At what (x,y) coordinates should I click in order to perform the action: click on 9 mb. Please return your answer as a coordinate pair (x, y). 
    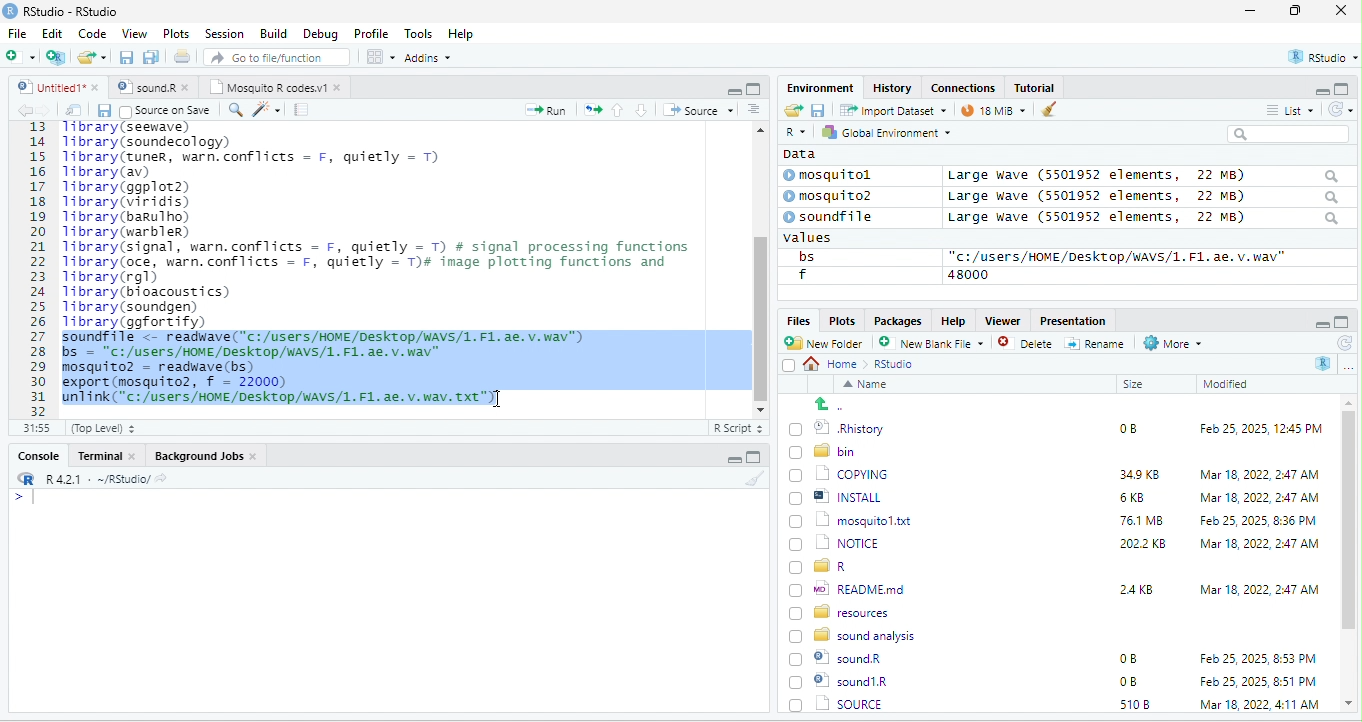
    Looking at the image, I should click on (993, 112).